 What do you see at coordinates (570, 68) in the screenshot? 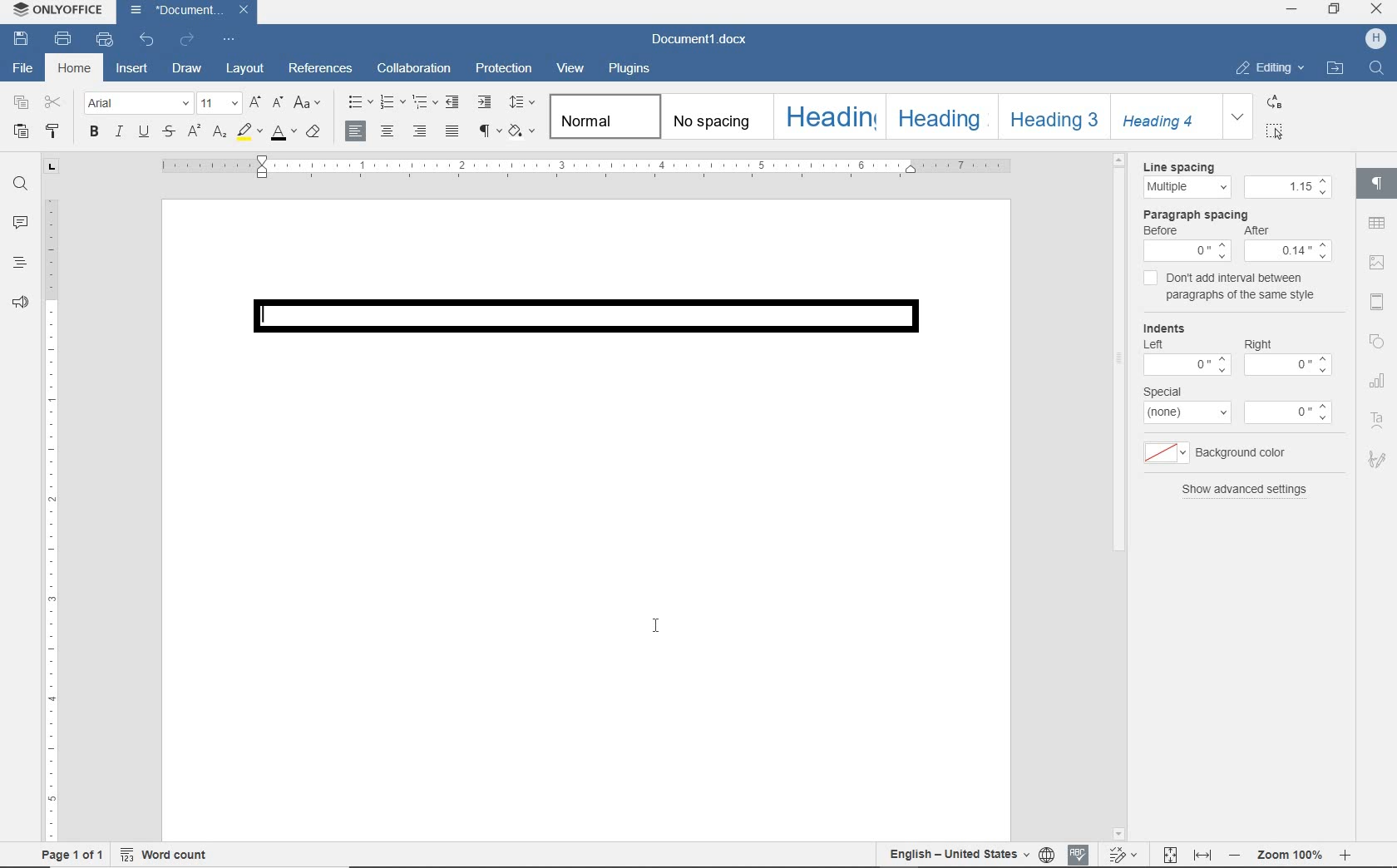
I see `view` at bounding box center [570, 68].